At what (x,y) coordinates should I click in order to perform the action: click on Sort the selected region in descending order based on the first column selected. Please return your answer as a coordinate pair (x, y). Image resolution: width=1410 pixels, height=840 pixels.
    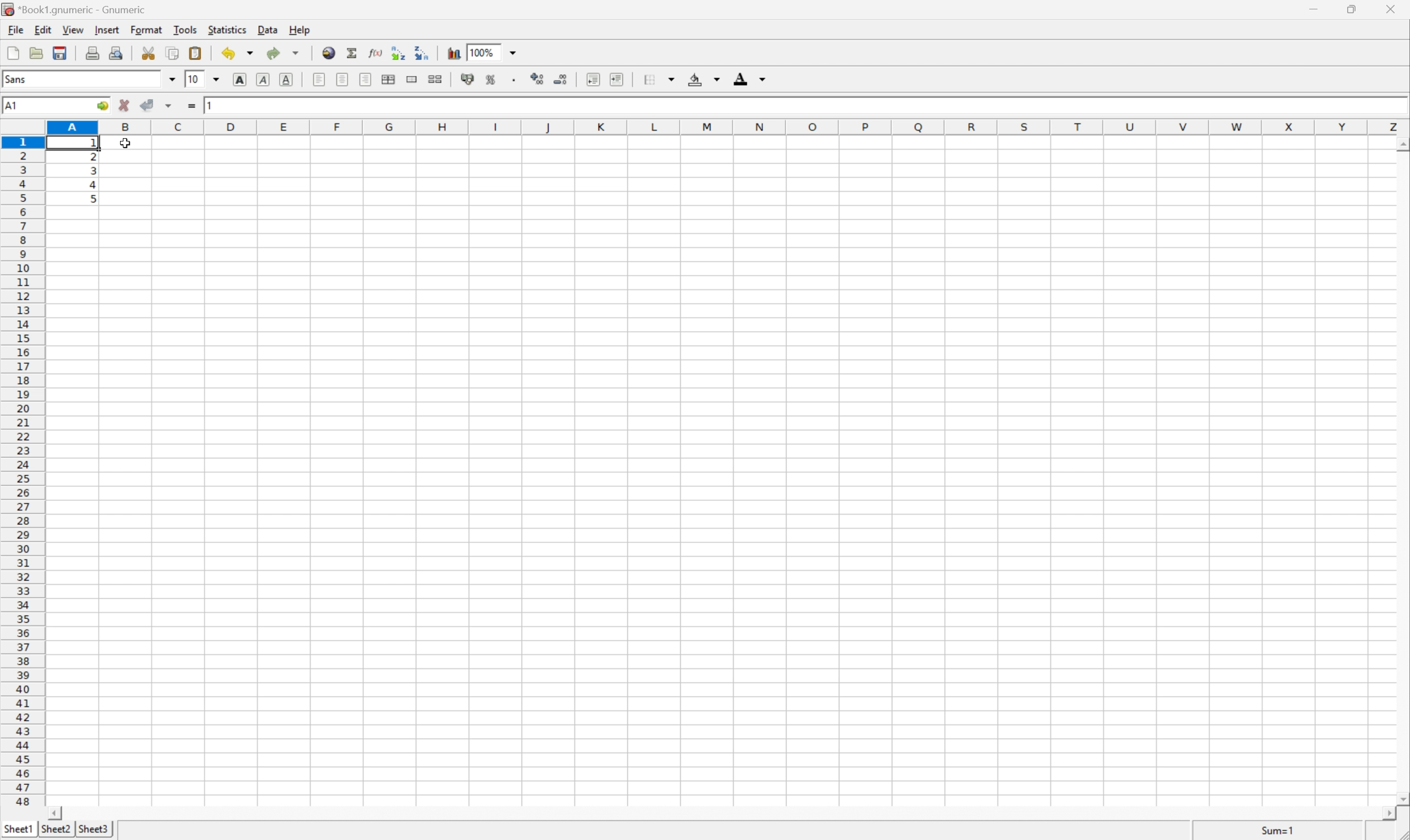
    Looking at the image, I should click on (421, 52).